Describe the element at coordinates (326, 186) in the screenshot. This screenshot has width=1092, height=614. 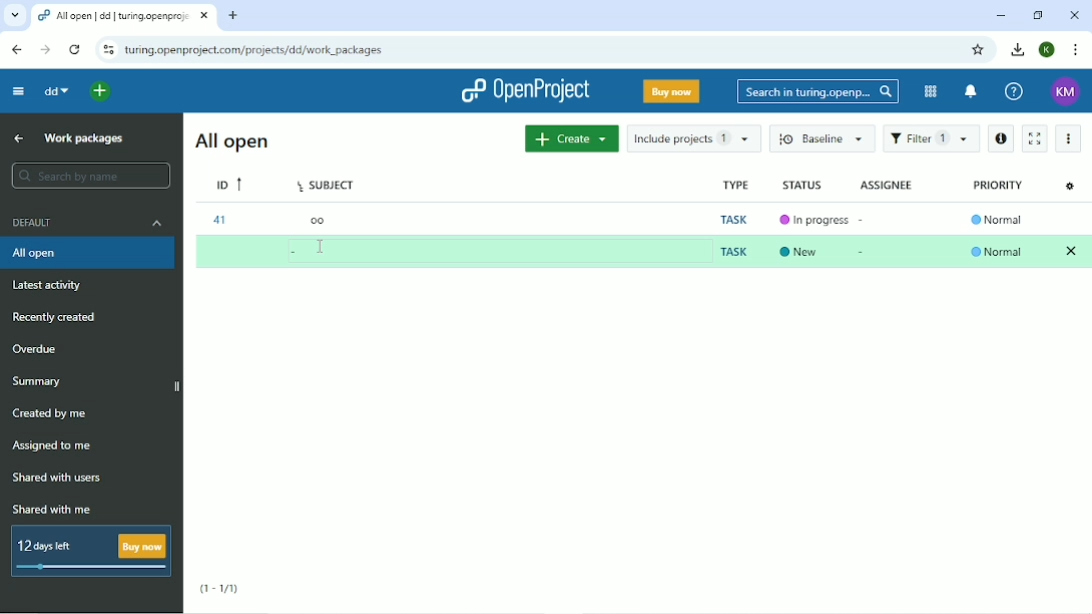
I see `Subject` at that location.